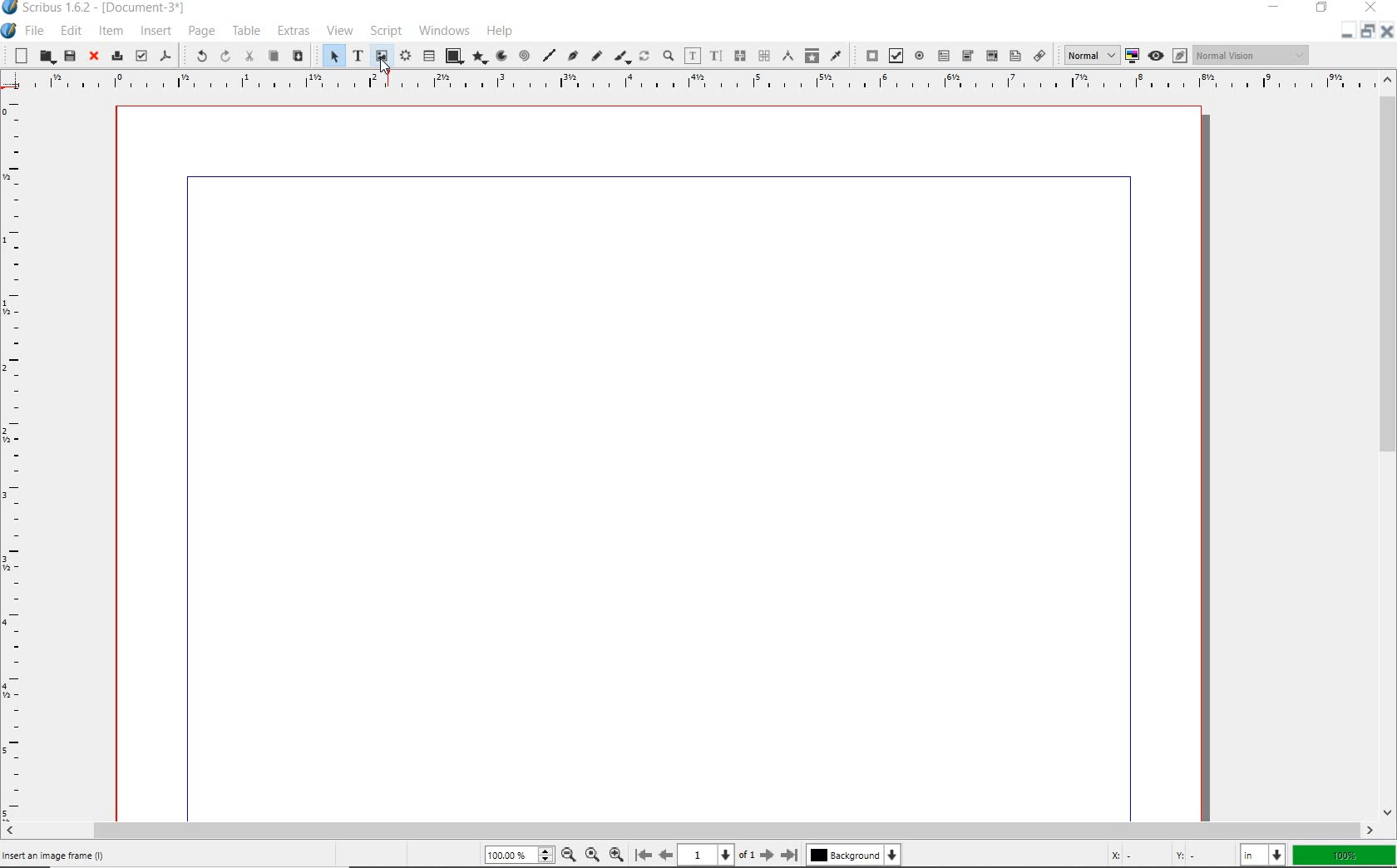  I want to click on cut, so click(249, 57).